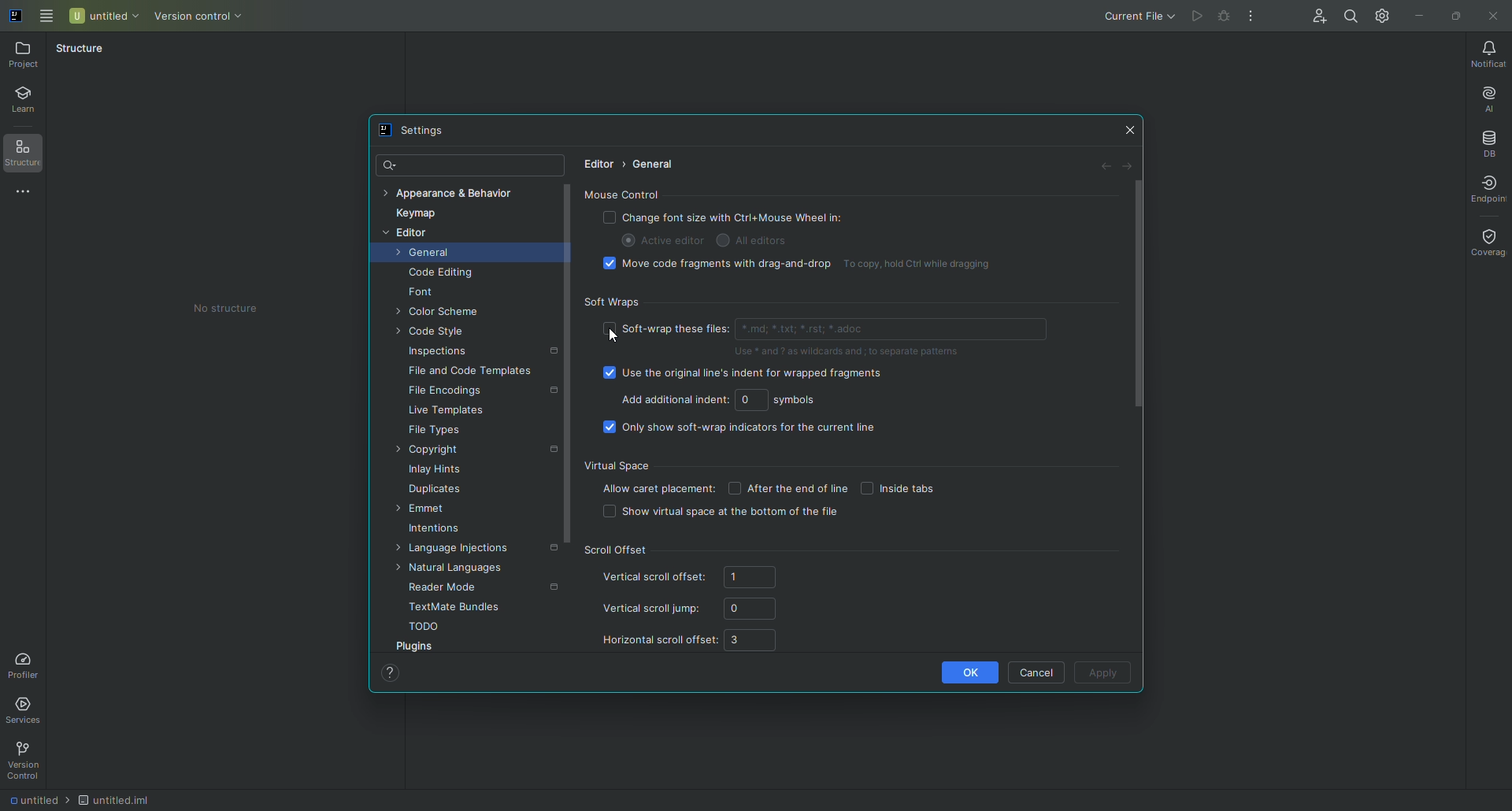 This screenshot has width=1512, height=811. I want to click on Notifications, so click(1486, 52).